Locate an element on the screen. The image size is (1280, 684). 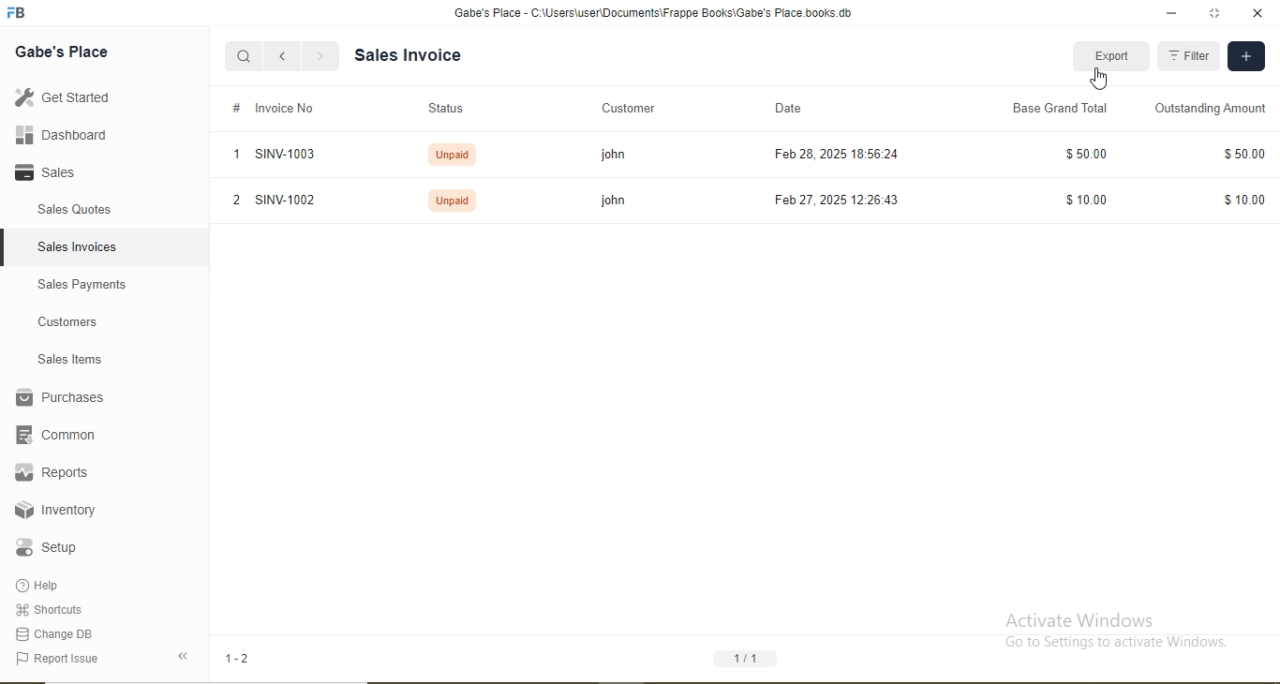
Dashboard is located at coordinates (72, 137).